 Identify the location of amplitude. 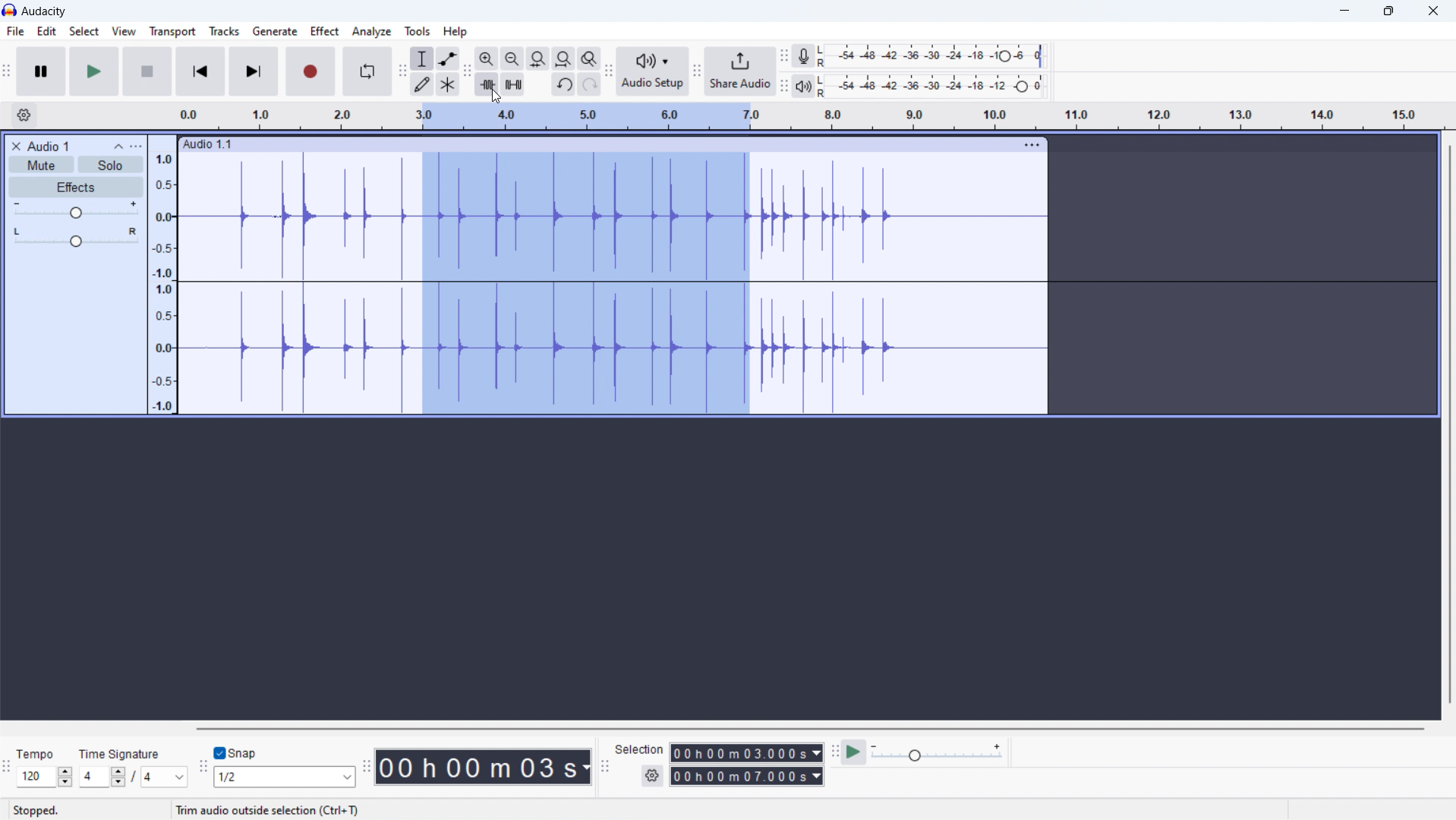
(162, 274).